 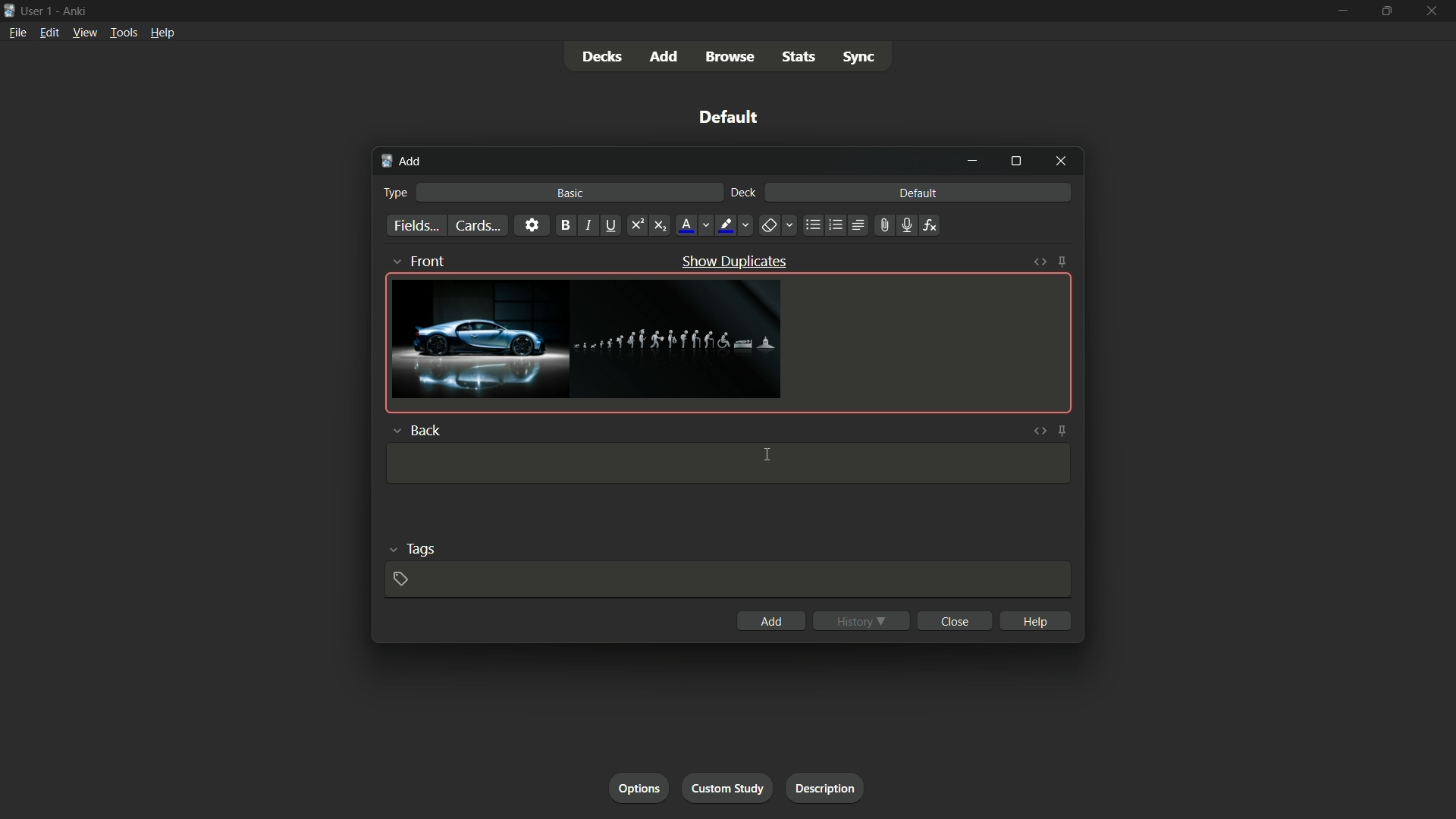 What do you see at coordinates (860, 225) in the screenshot?
I see `alignment` at bounding box center [860, 225].